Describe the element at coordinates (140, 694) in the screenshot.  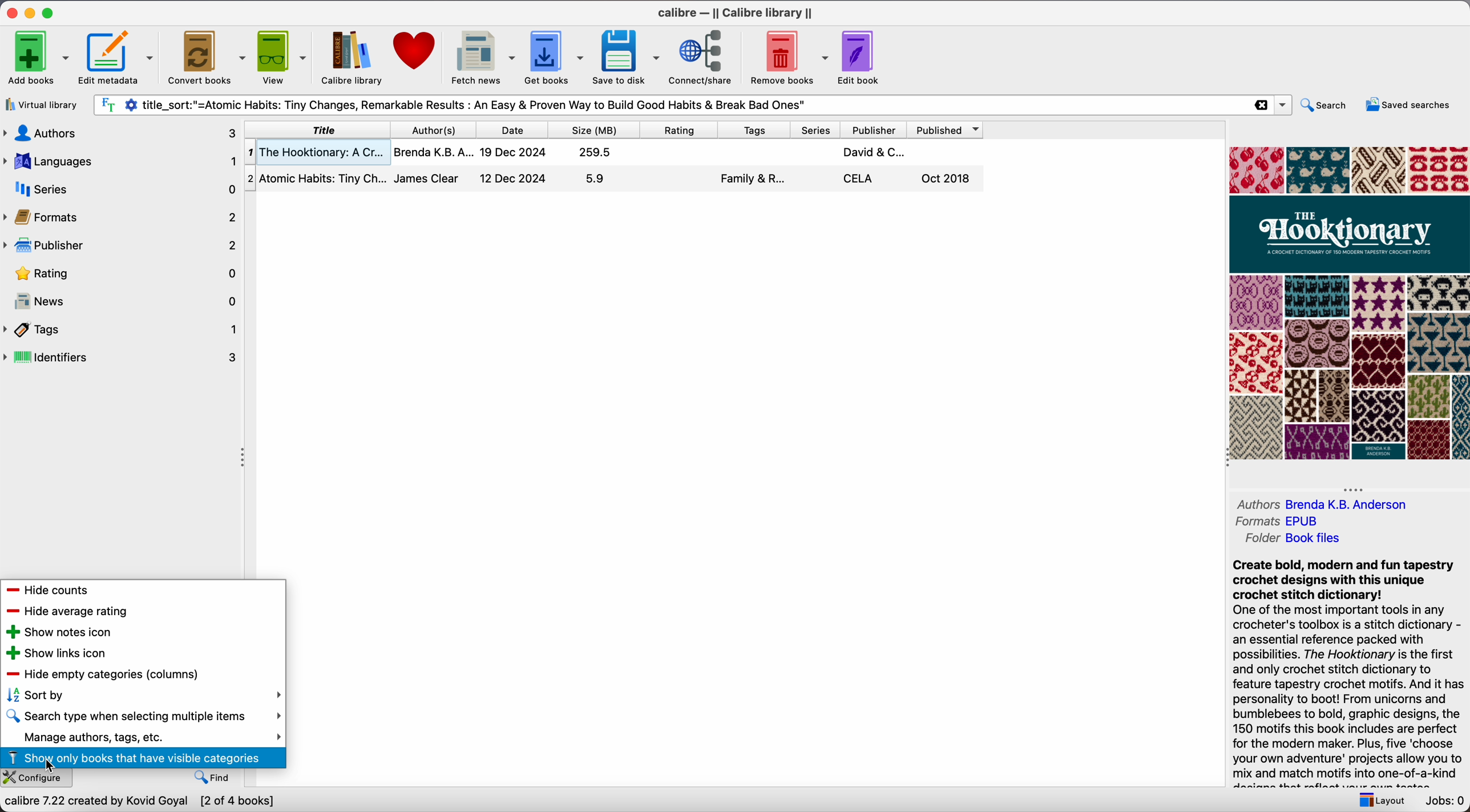
I see `sort by` at that location.